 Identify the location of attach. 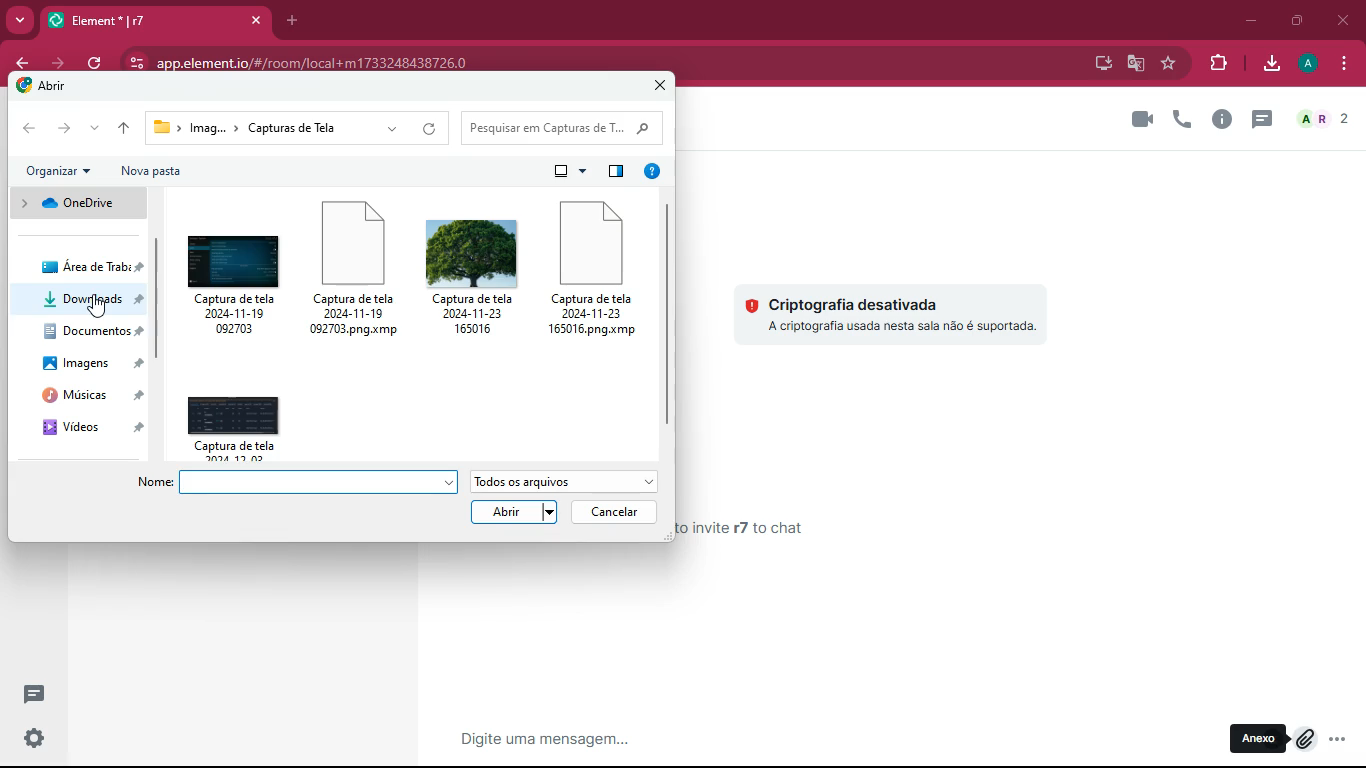
(1302, 743).